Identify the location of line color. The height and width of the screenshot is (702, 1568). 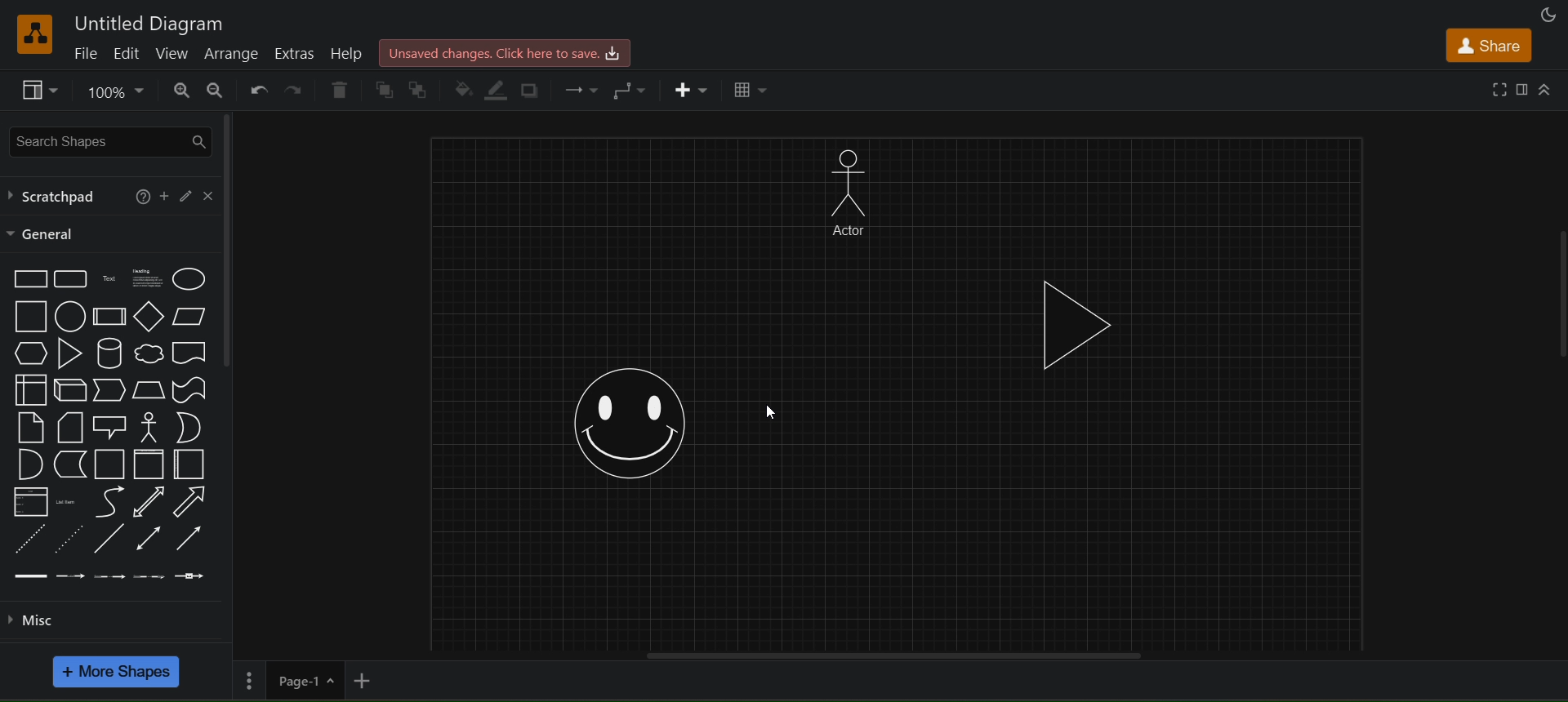
(501, 91).